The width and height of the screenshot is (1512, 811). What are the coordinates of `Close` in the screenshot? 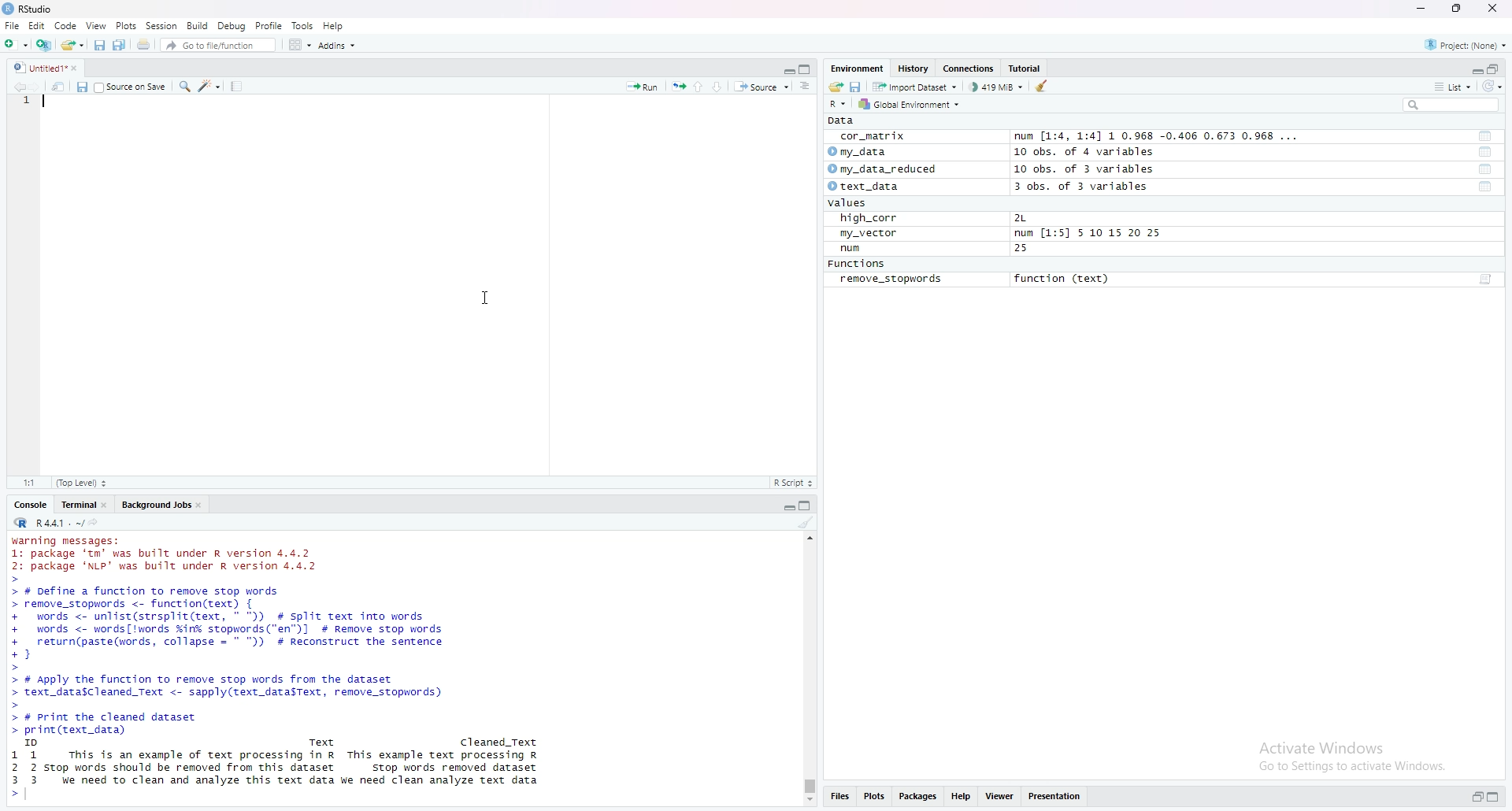 It's located at (1494, 10).